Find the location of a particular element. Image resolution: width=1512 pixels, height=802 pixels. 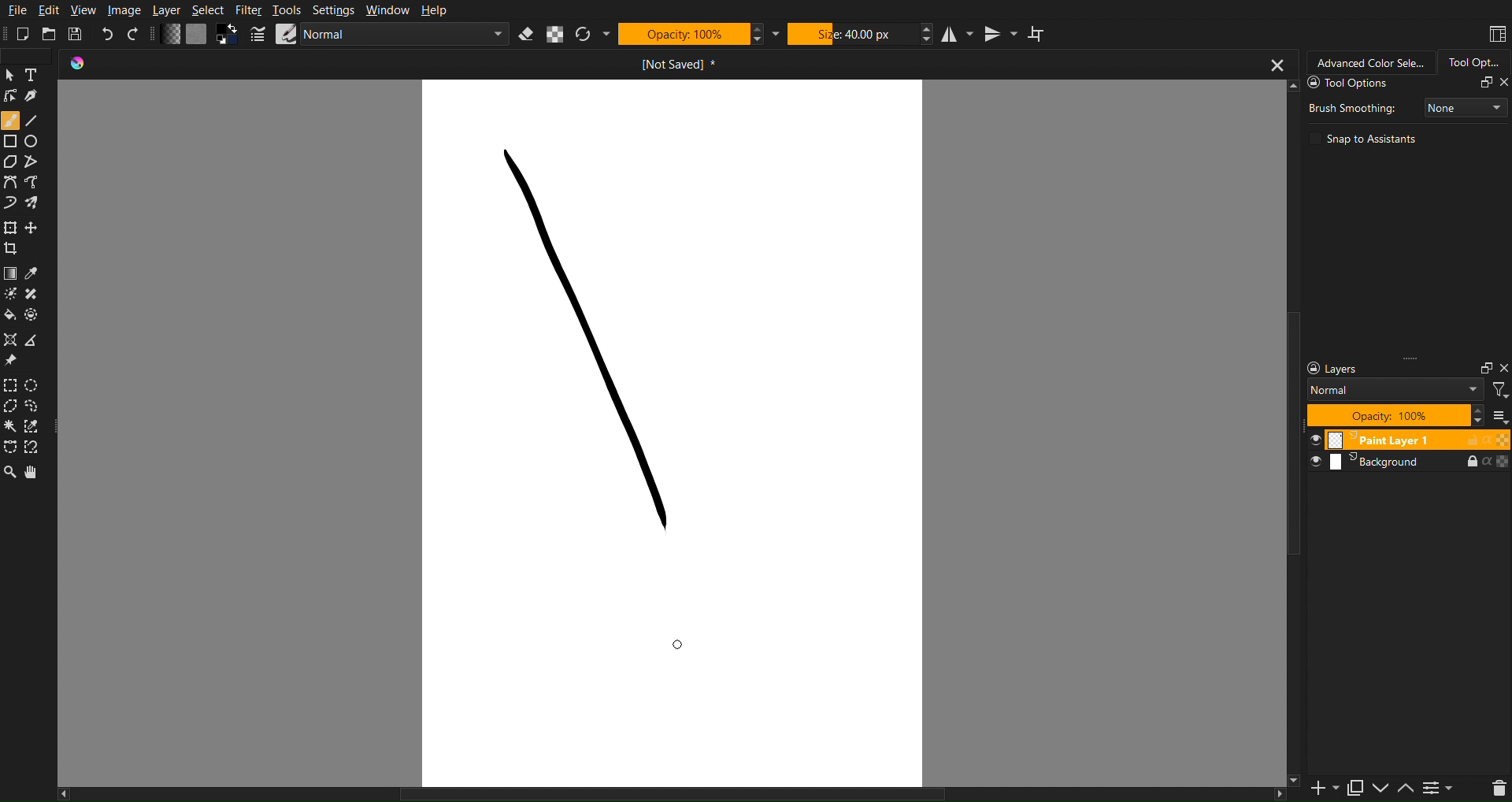

Help is located at coordinates (435, 9).